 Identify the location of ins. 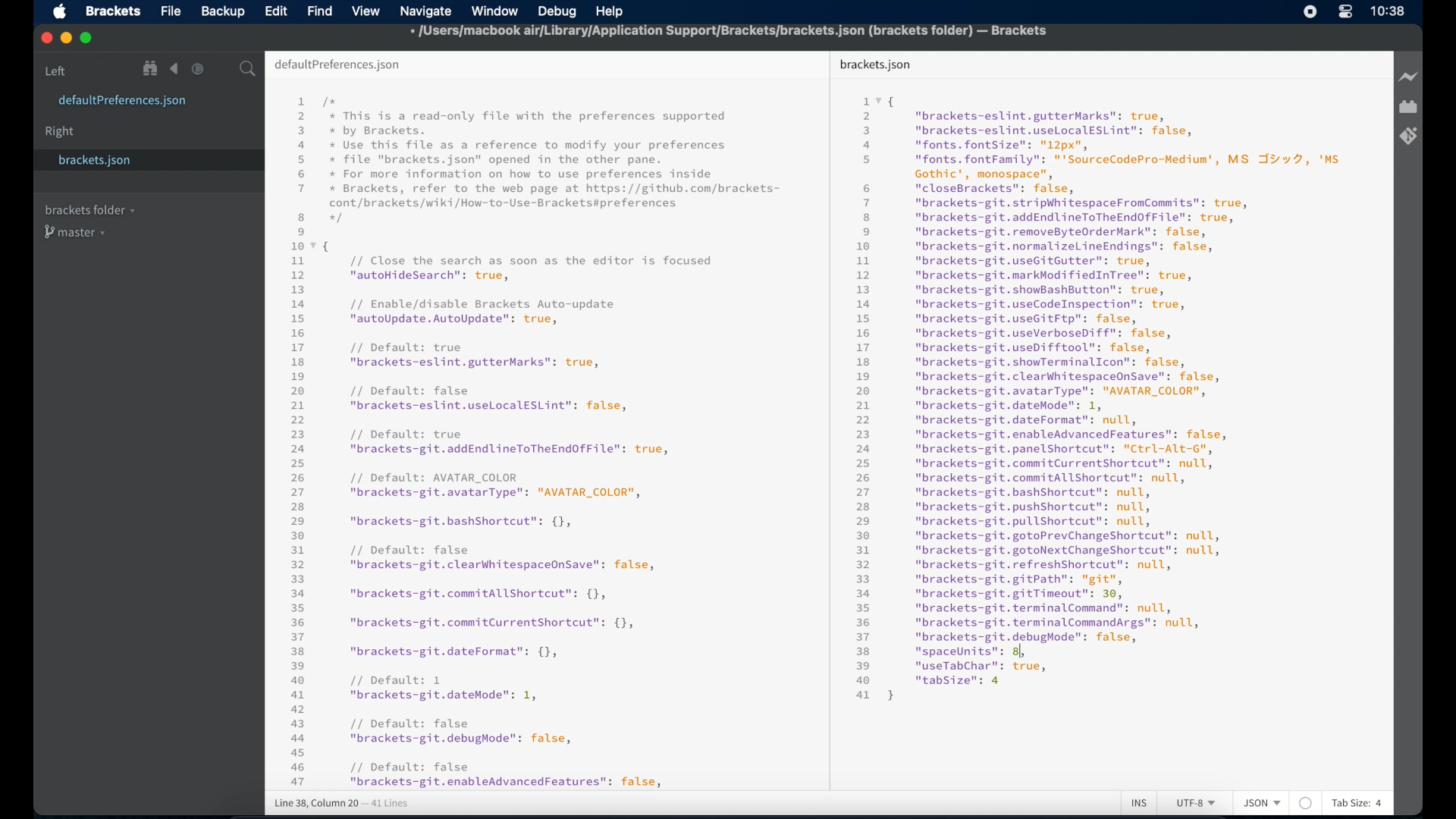
(1139, 804).